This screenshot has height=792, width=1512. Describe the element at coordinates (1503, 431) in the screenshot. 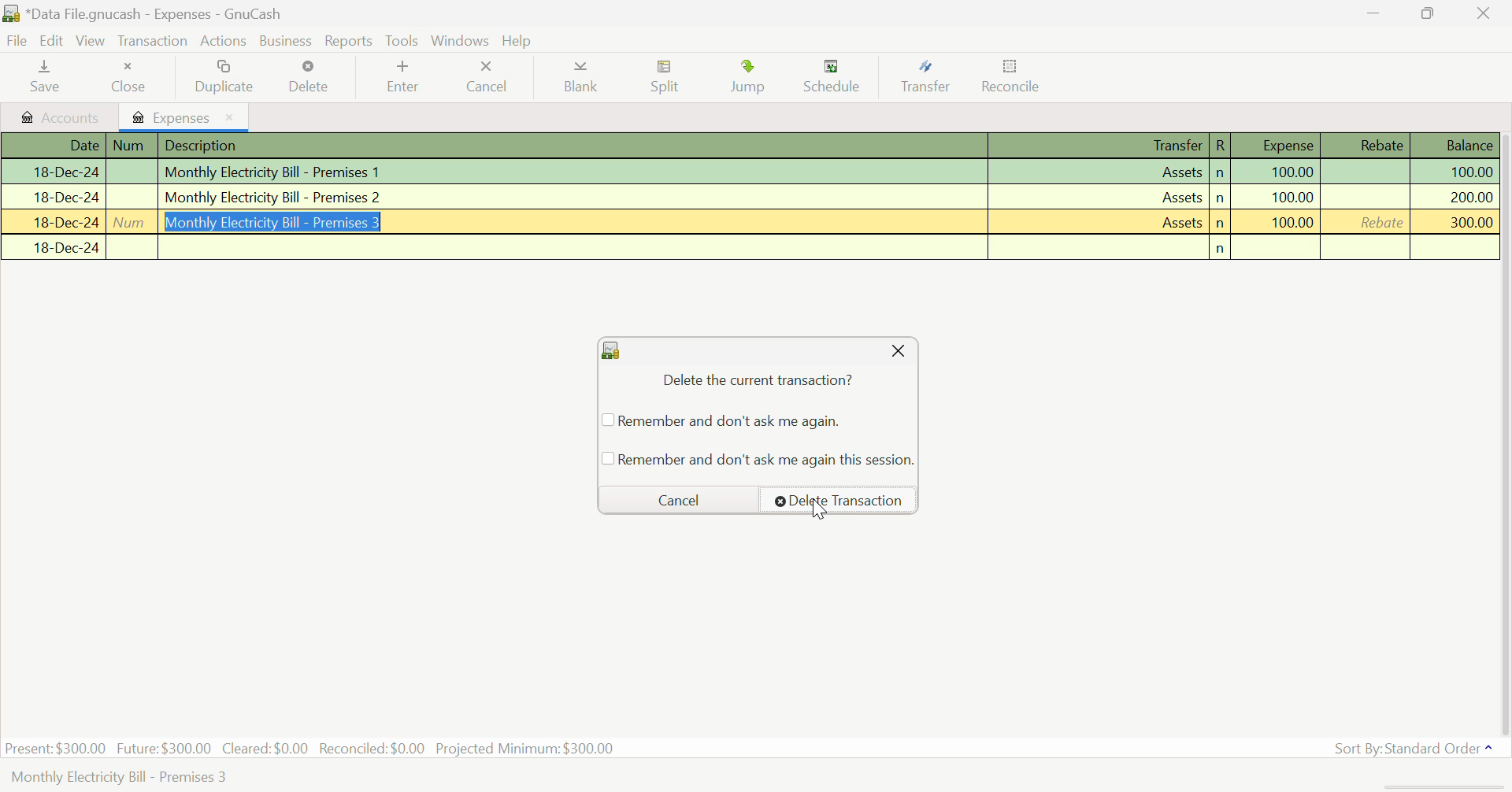

I see `vertical scroll bar` at that location.